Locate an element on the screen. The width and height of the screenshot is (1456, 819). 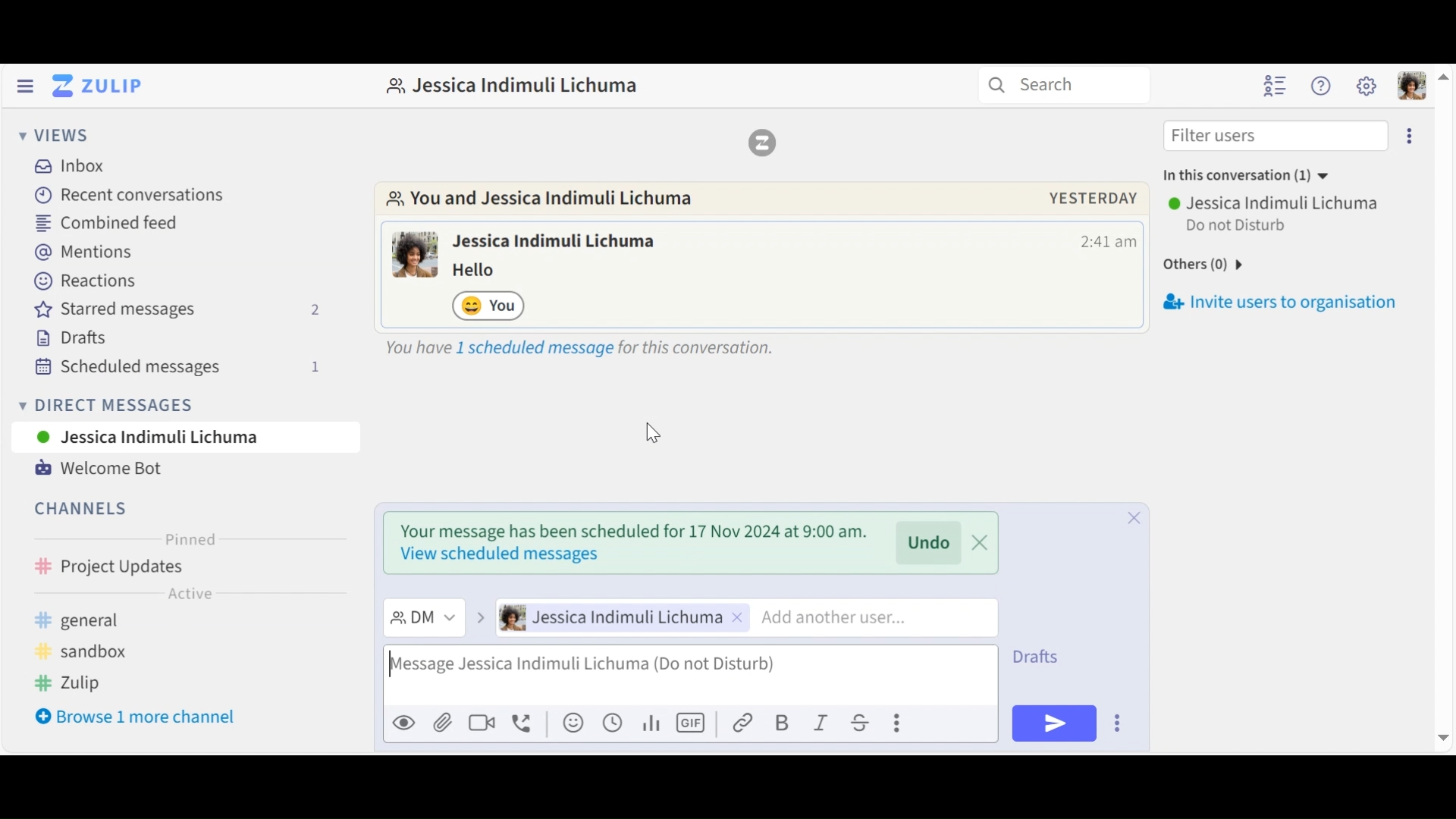
User is located at coordinates (187, 440).